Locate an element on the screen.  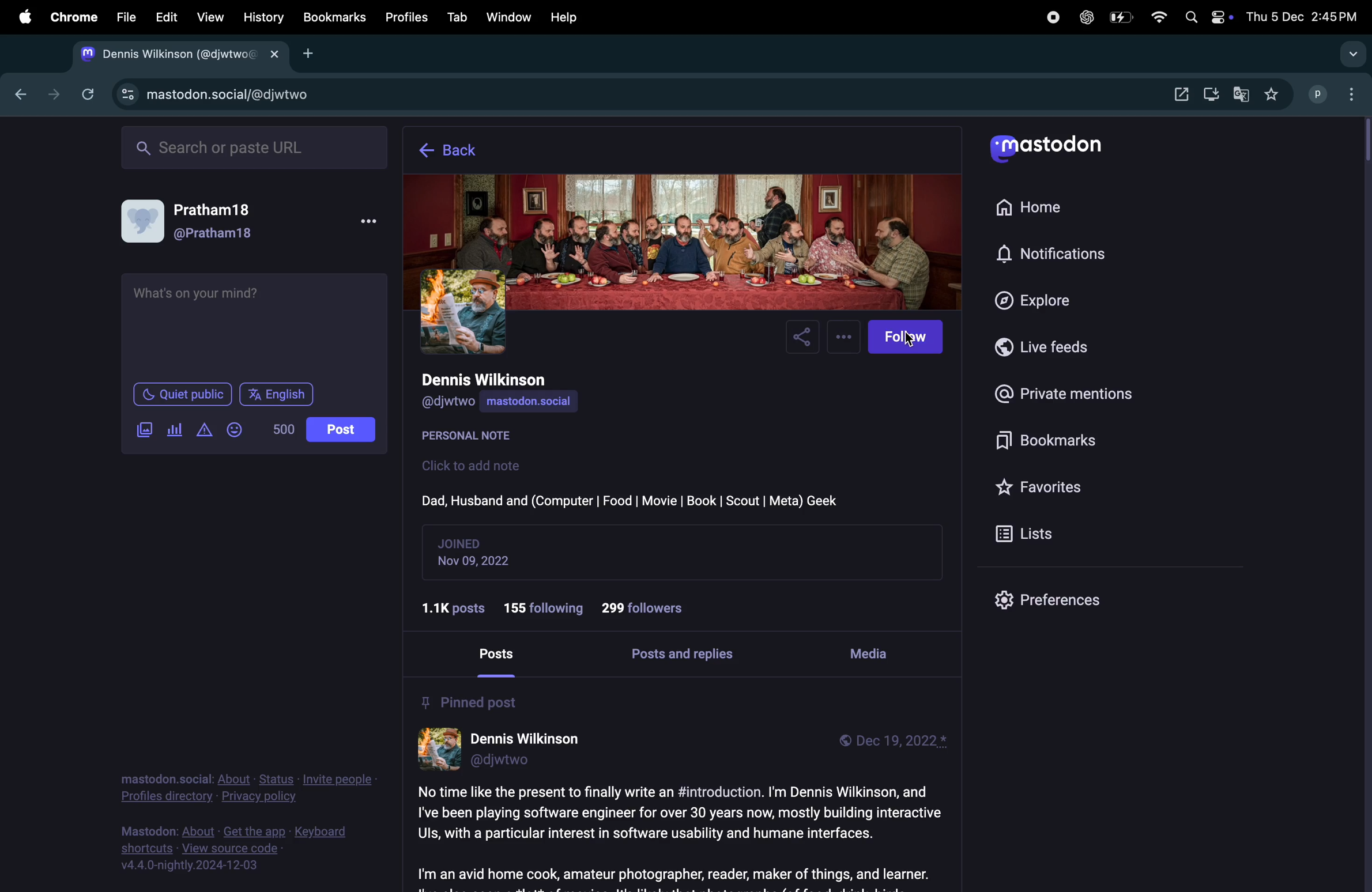
userid is located at coordinates (450, 403).